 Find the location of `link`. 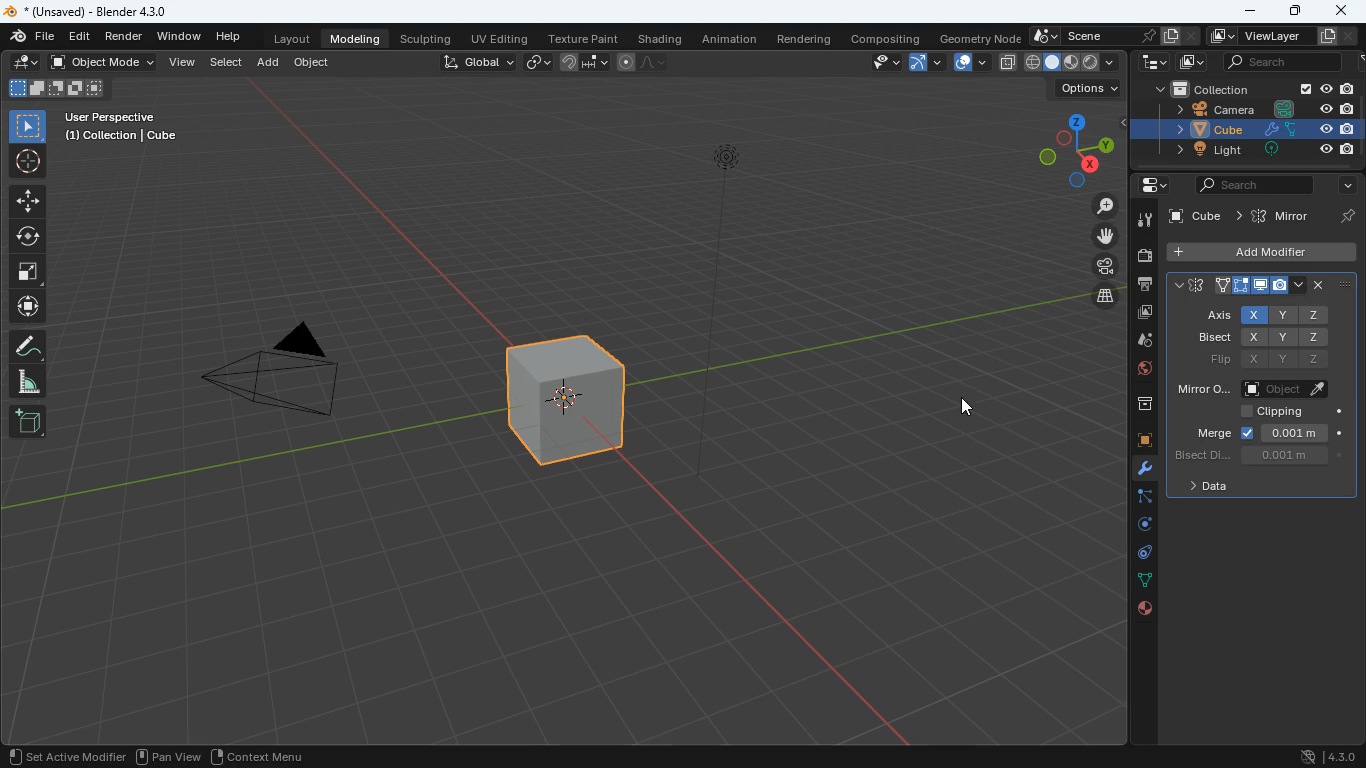

link is located at coordinates (536, 63).